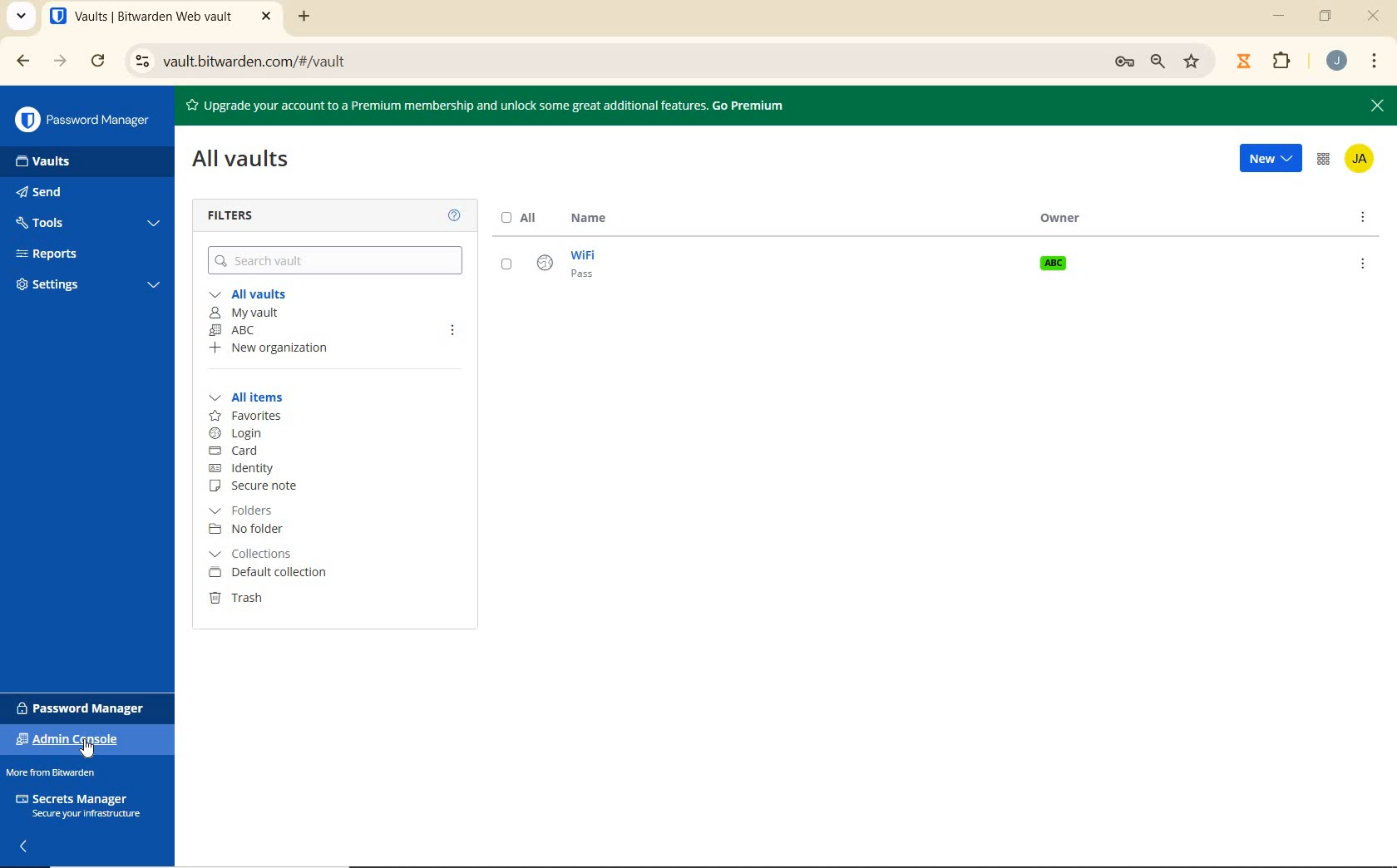  I want to click on NO FOLDER, so click(254, 530).